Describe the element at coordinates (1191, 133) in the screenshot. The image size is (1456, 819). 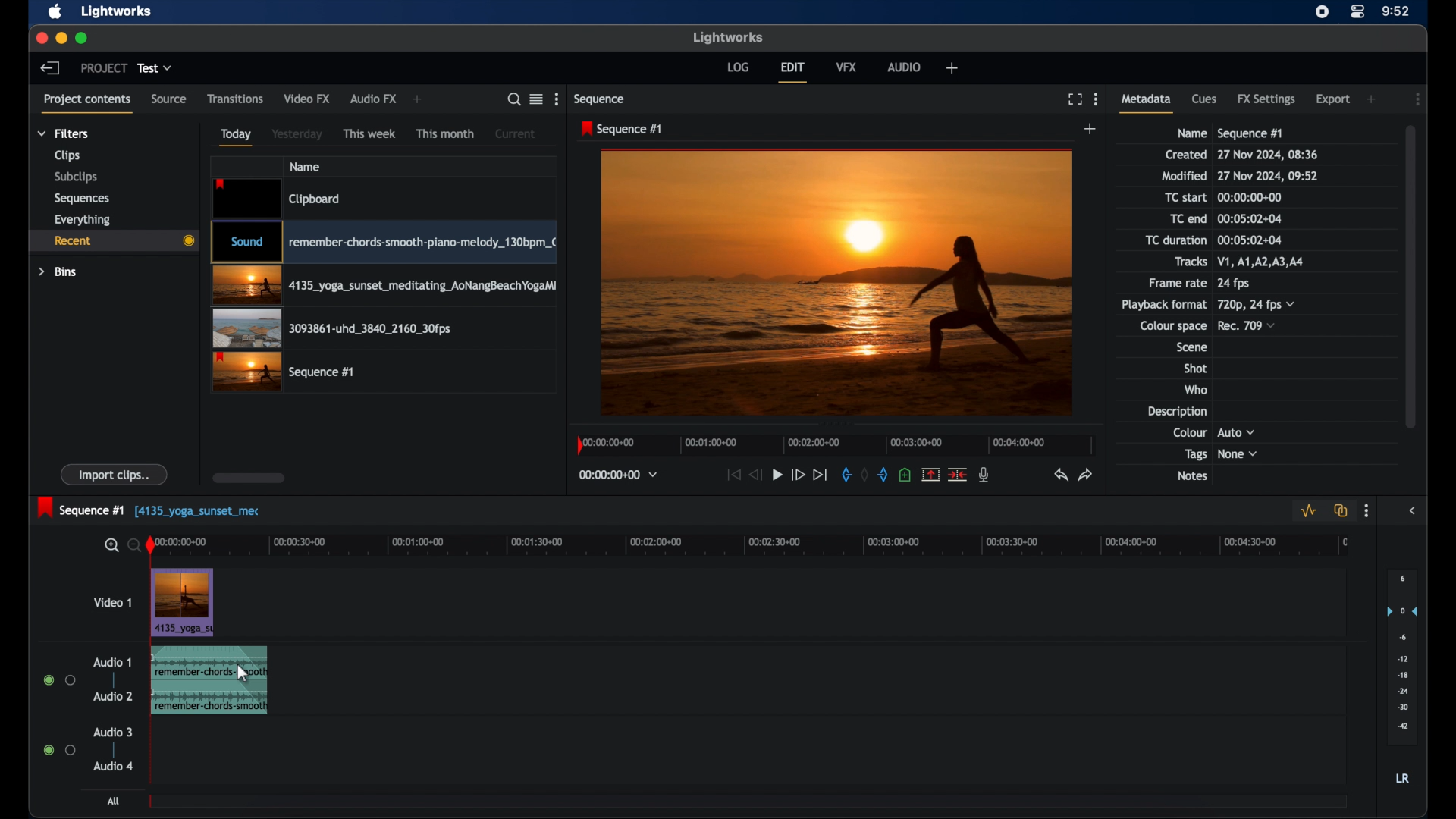
I see `name` at that location.